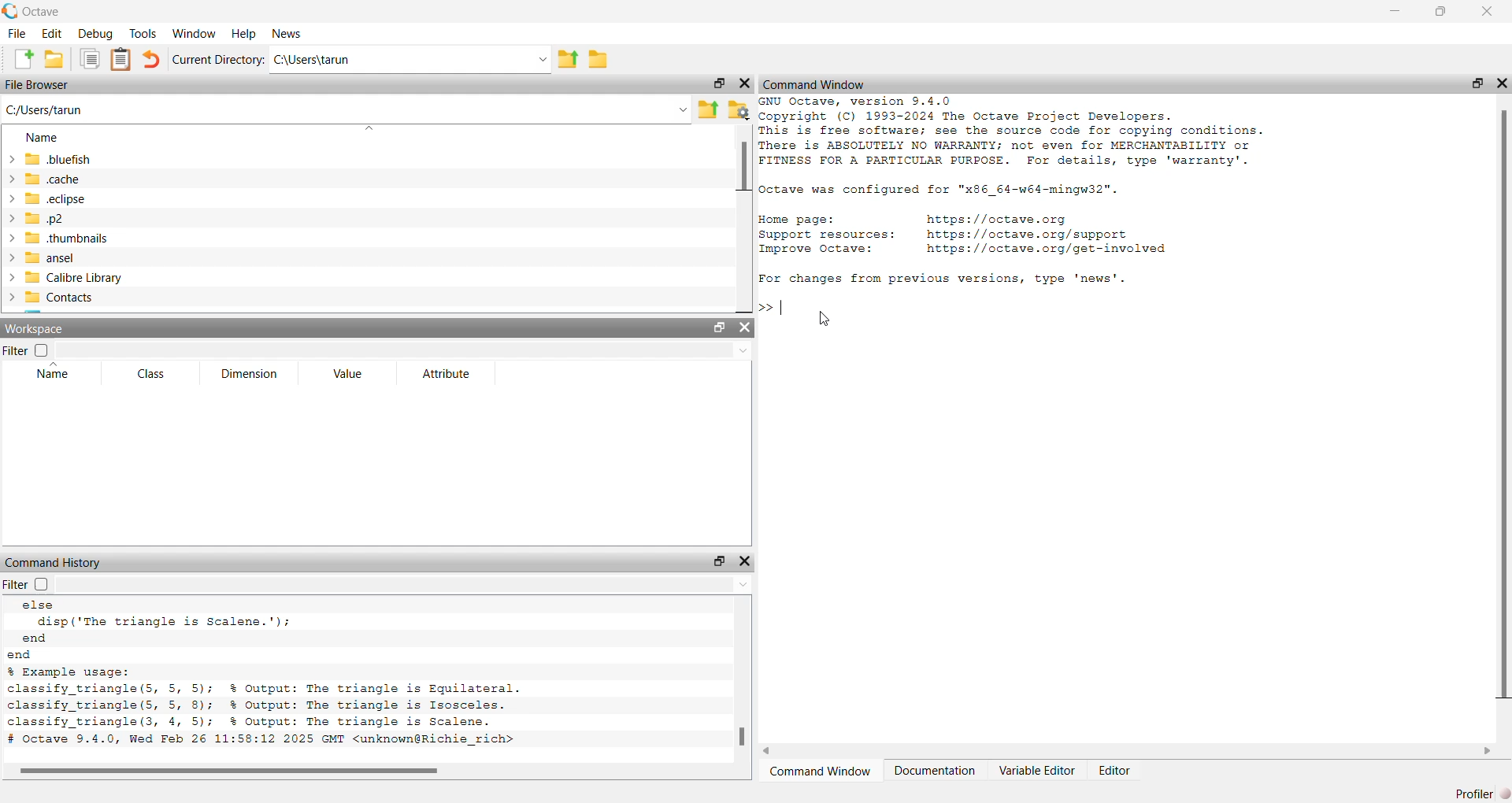 The width and height of the screenshot is (1512, 803). What do you see at coordinates (268, 742) in the screenshot?
I see `octave version and date` at bounding box center [268, 742].